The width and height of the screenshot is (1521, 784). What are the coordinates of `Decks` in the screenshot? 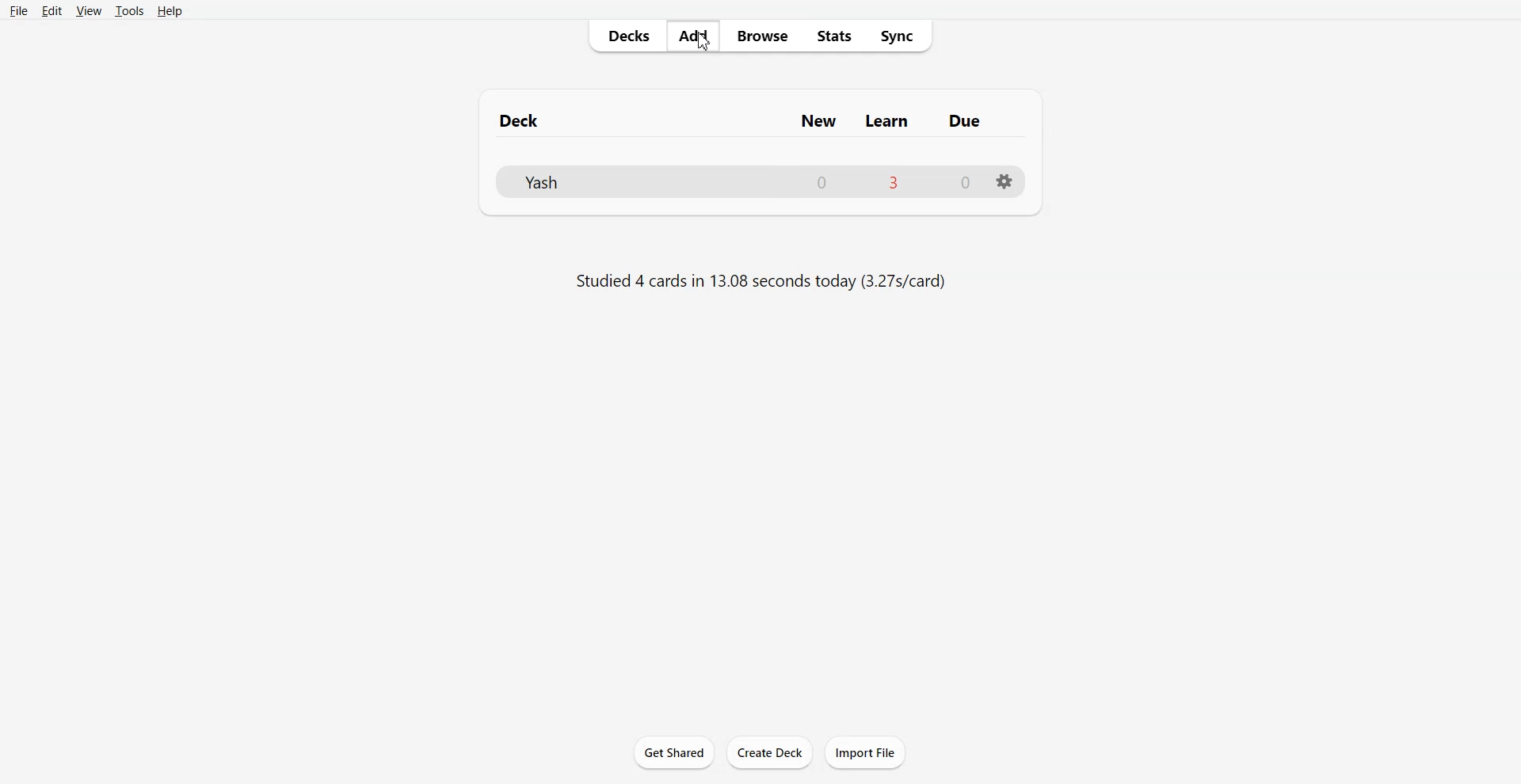 It's located at (626, 36).